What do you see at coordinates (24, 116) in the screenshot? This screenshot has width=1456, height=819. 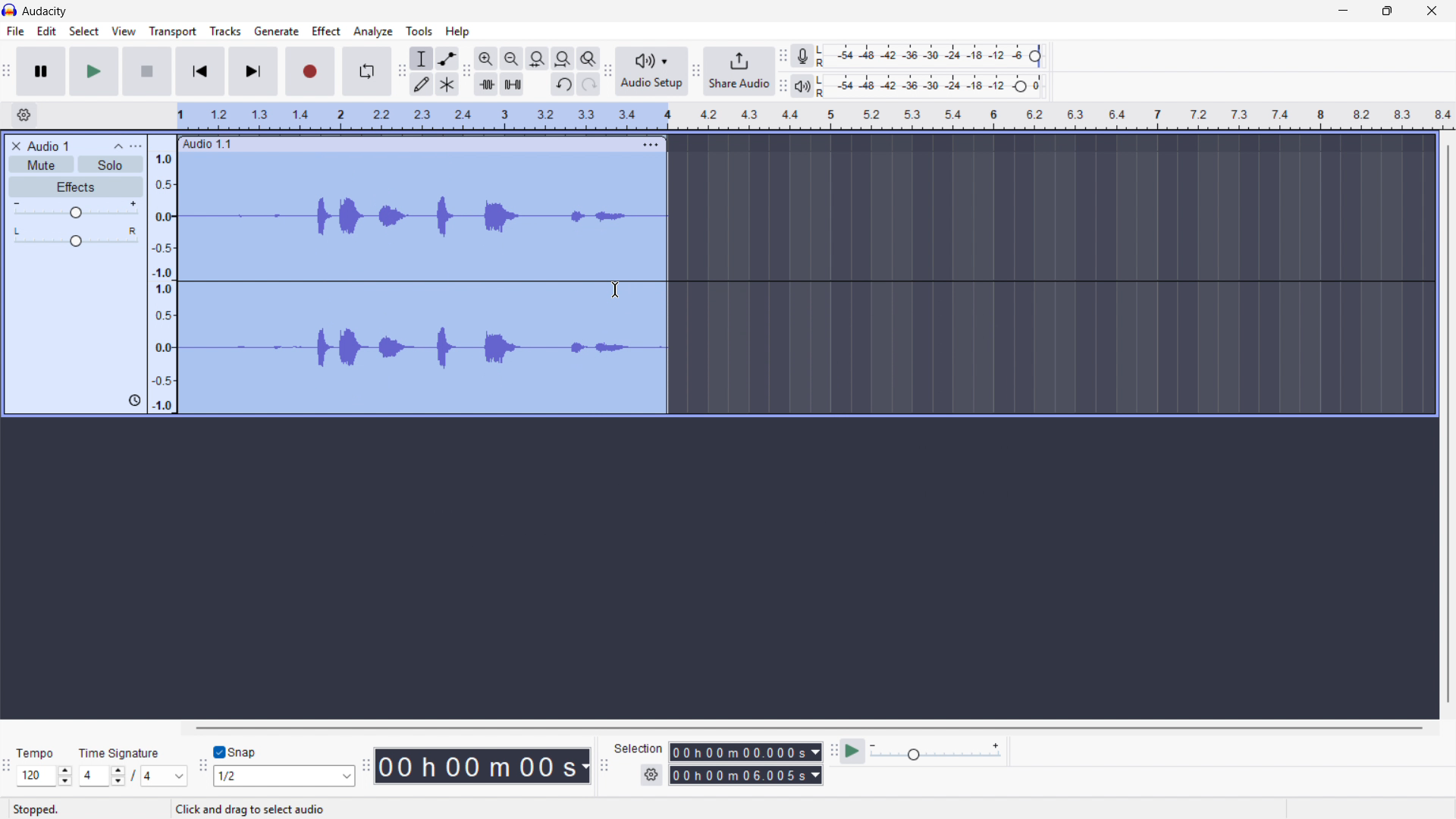 I see `Timeline settings ` at bounding box center [24, 116].